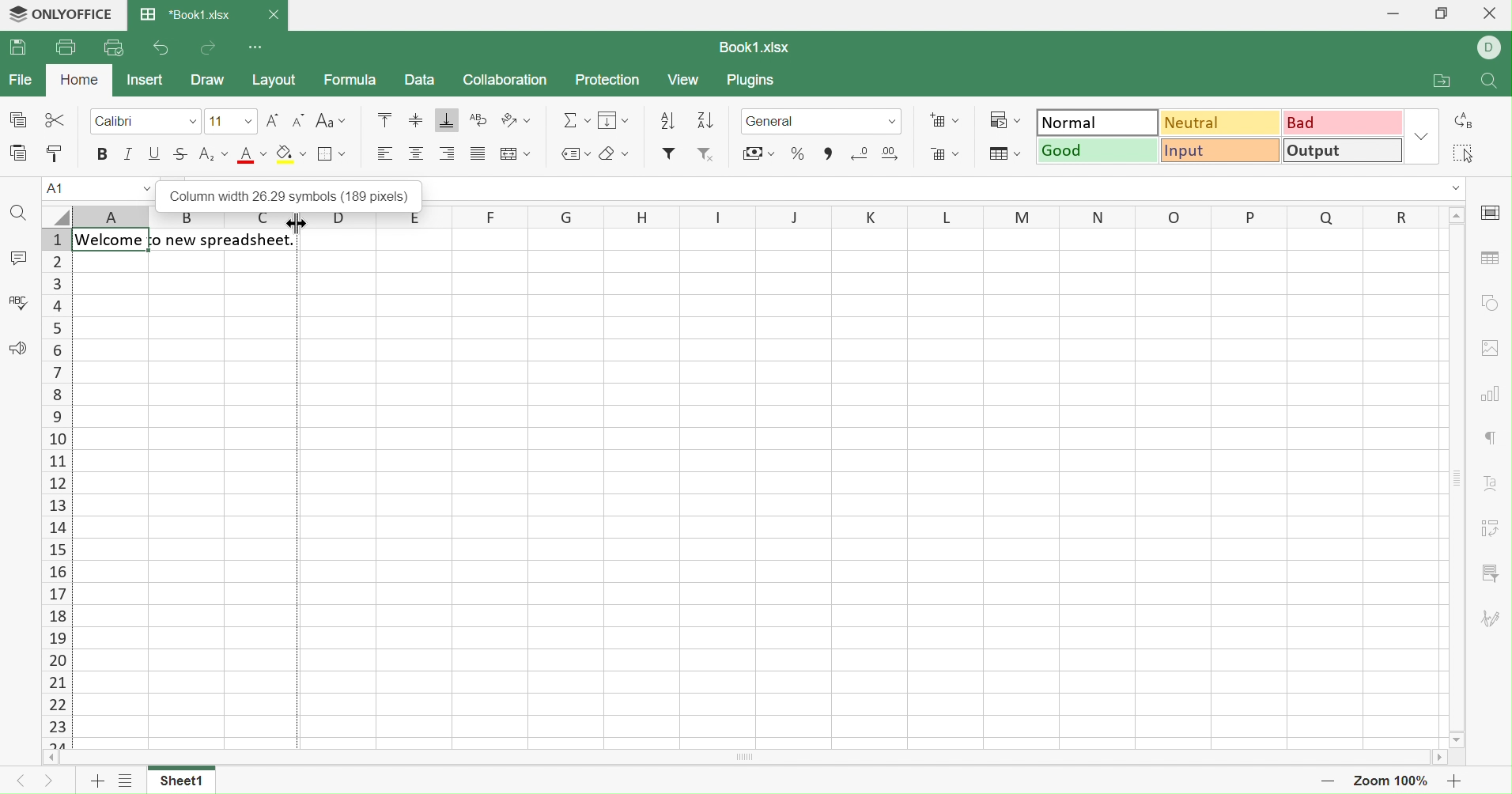 Image resolution: width=1512 pixels, height=794 pixels. I want to click on Insert cells, so click(943, 120).